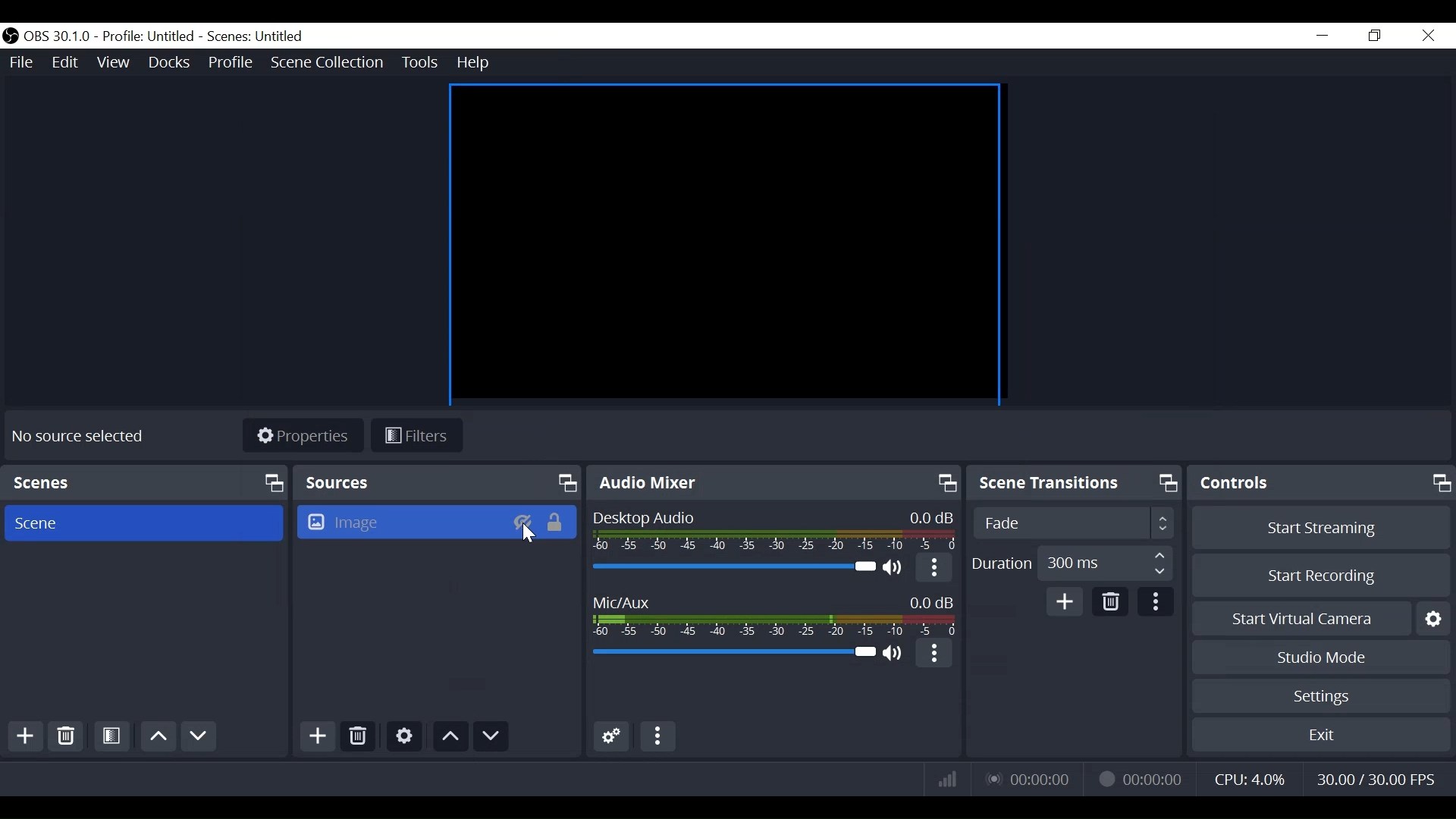  Describe the element at coordinates (330, 62) in the screenshot. I see `Scene Collection` at that location.